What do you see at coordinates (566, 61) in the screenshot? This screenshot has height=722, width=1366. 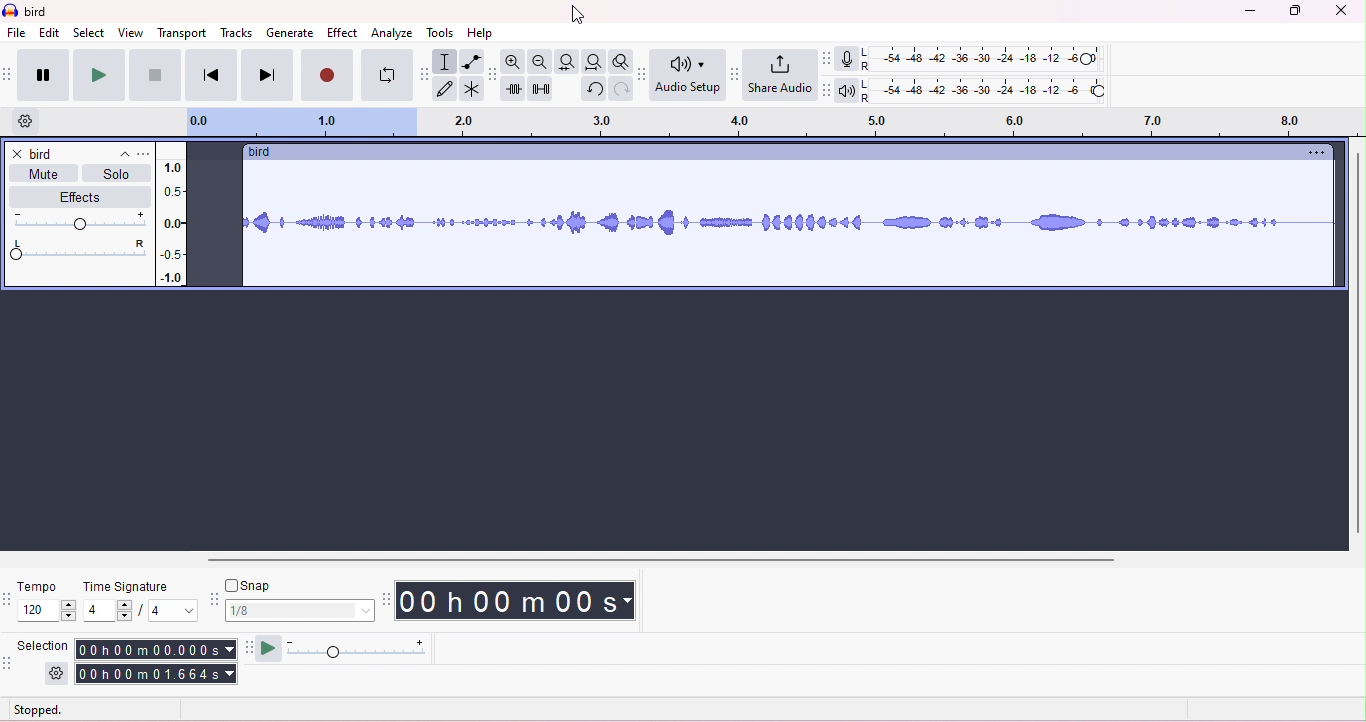 I see `fit selection to width` at bounding box center [566, 61].